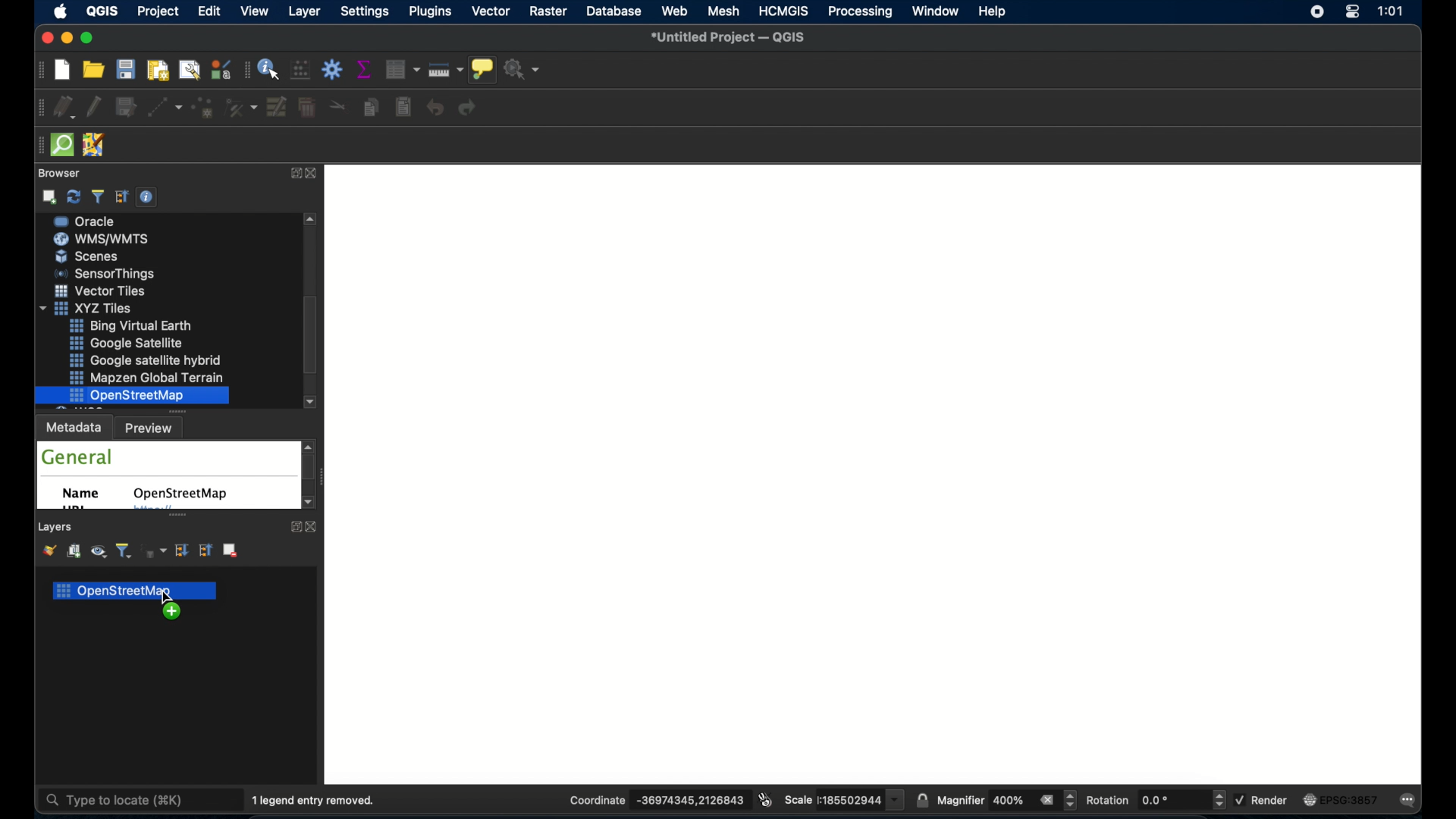  I want to click on lock scale, so click(923, 799).